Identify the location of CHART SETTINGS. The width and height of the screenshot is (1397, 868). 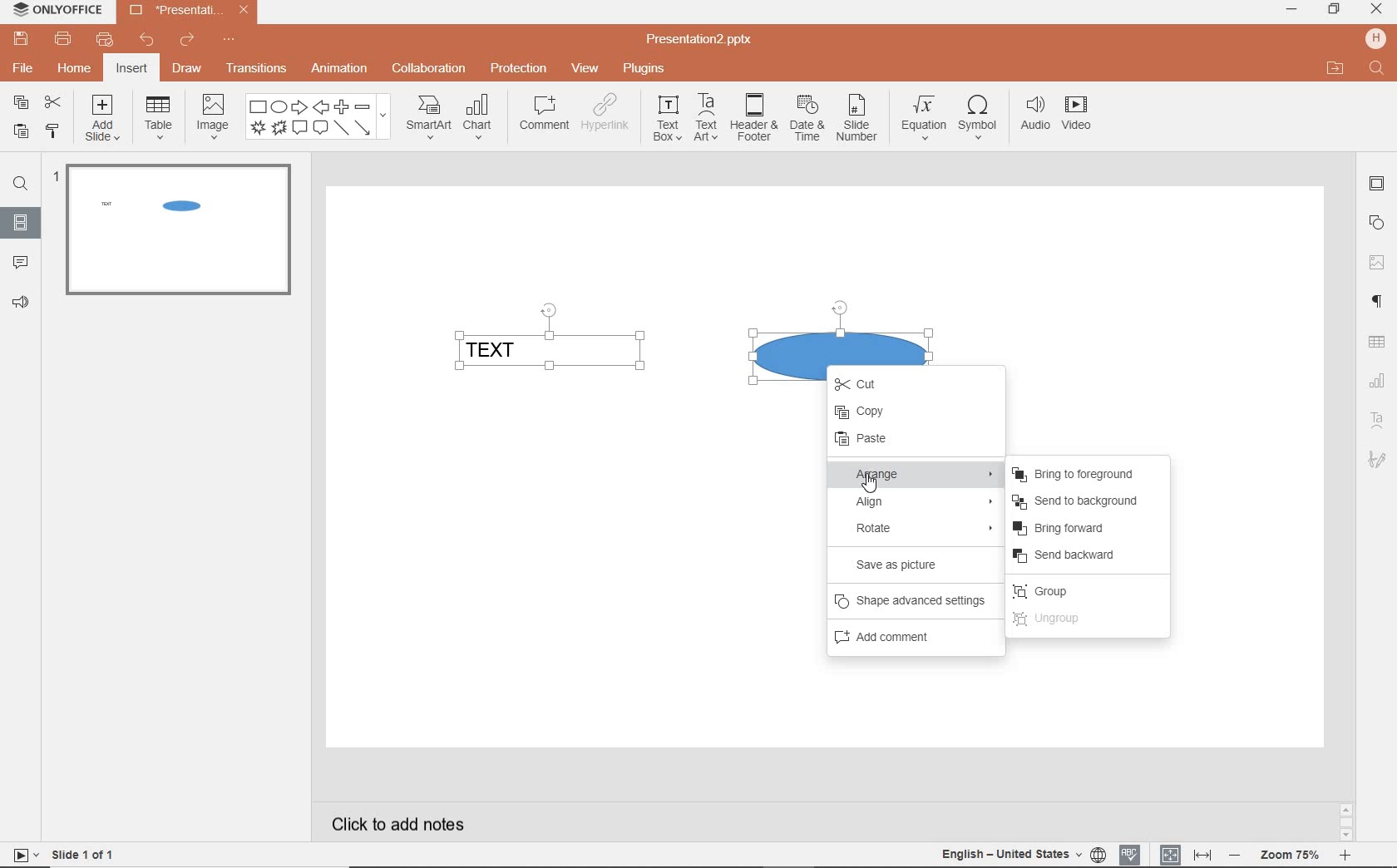
(1378, 382).